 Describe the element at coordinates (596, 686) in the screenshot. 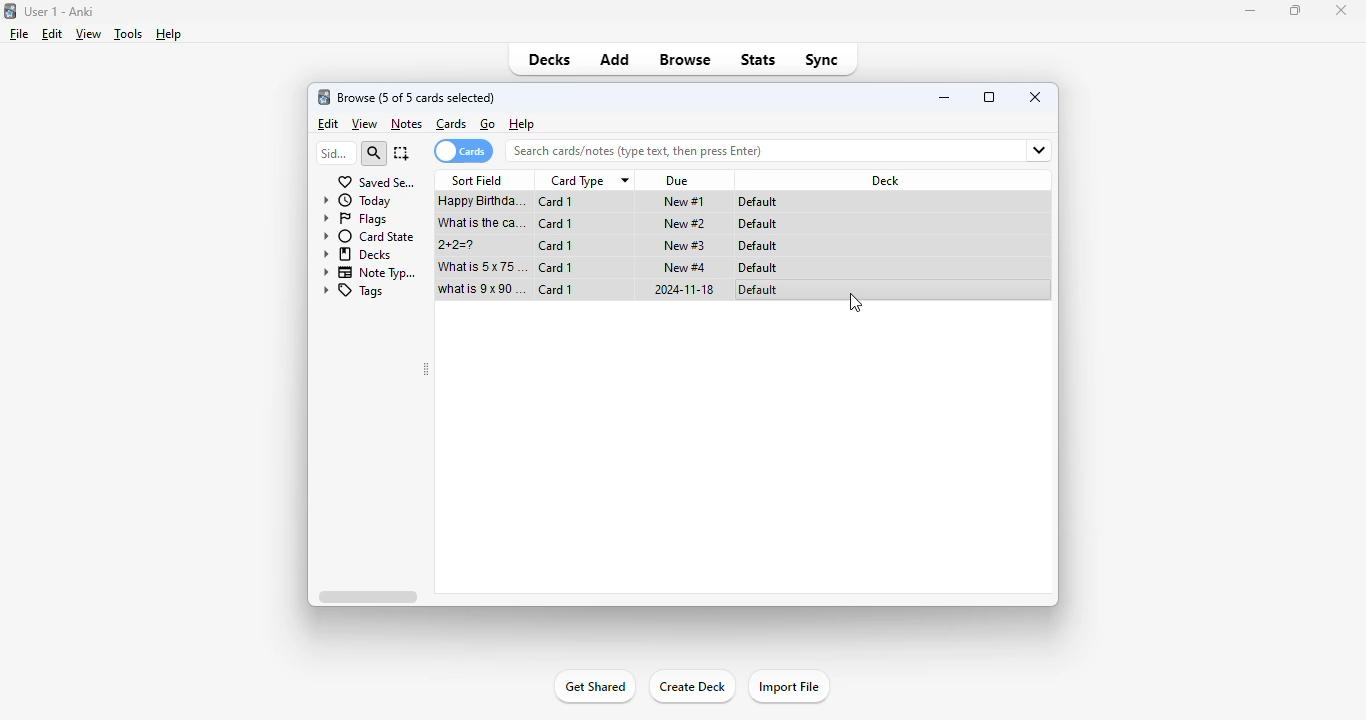

I see `get shared` at that location.